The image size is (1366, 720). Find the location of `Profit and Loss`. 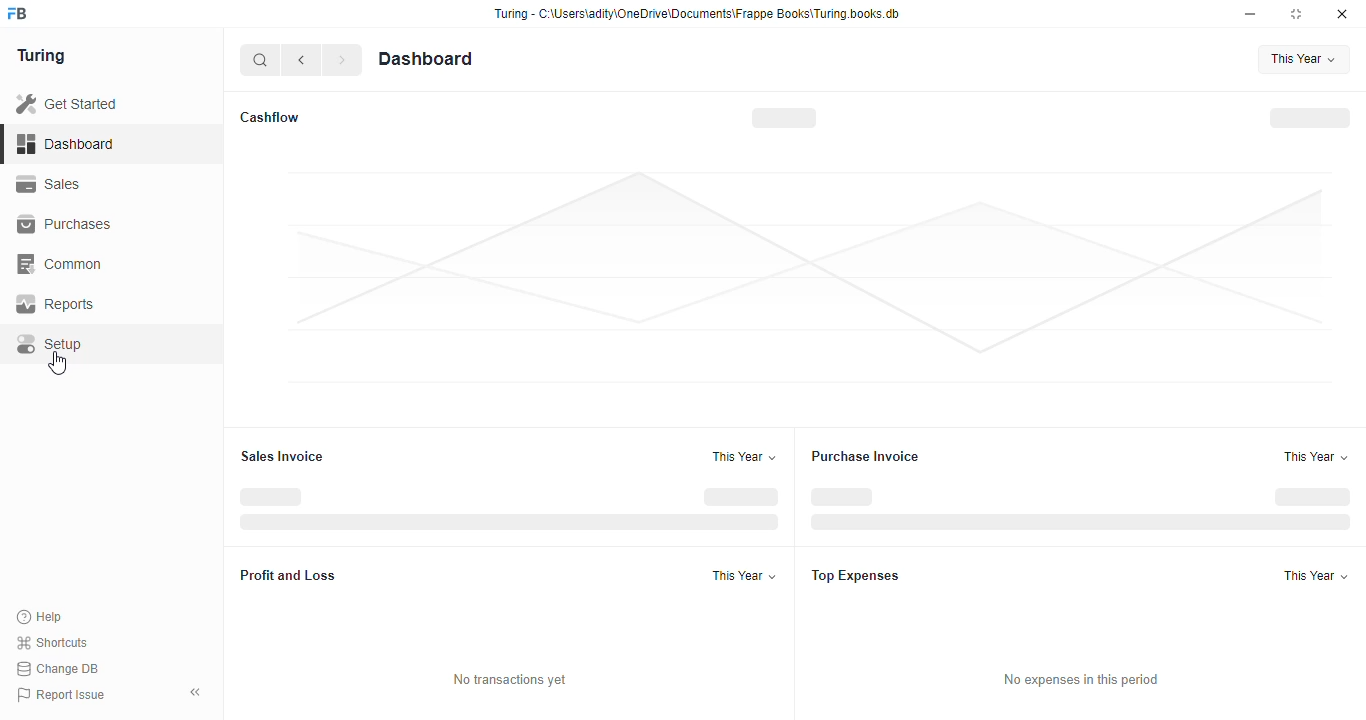

Profit and Loss is located at coordinates (296, 576).